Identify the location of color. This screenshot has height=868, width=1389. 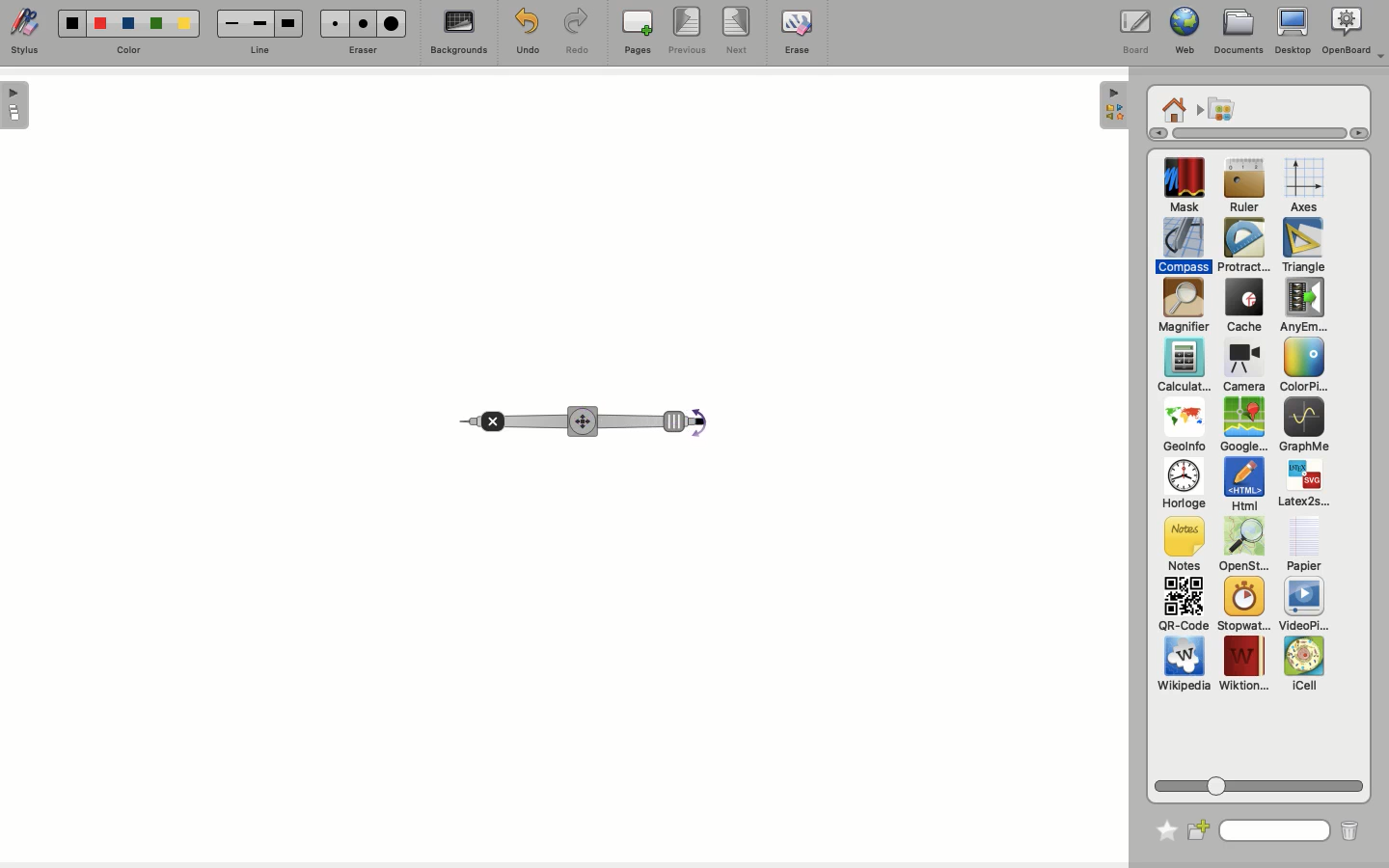
(128, 49).